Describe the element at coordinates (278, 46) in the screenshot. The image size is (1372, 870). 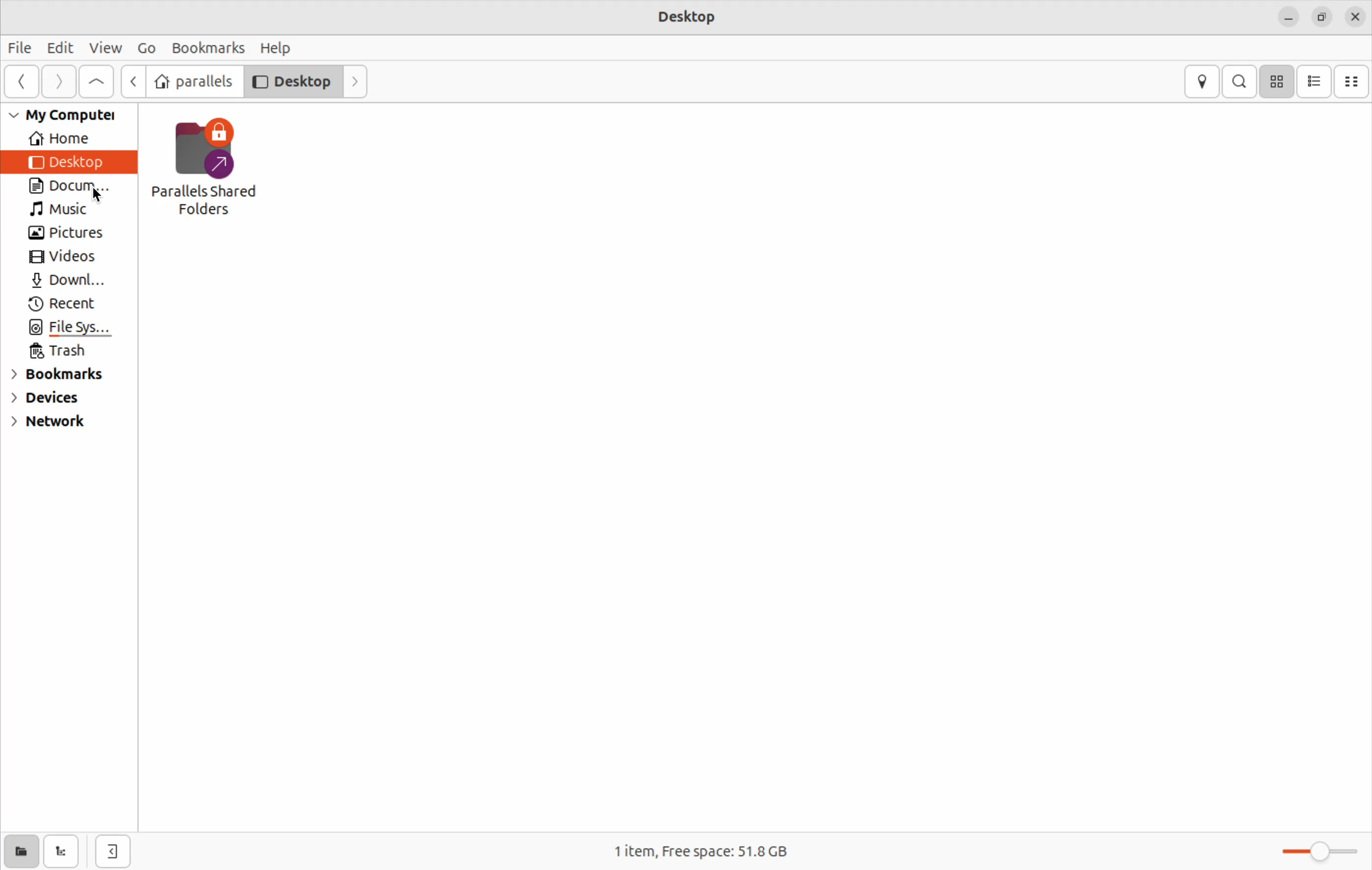
I see `Help` at that location.